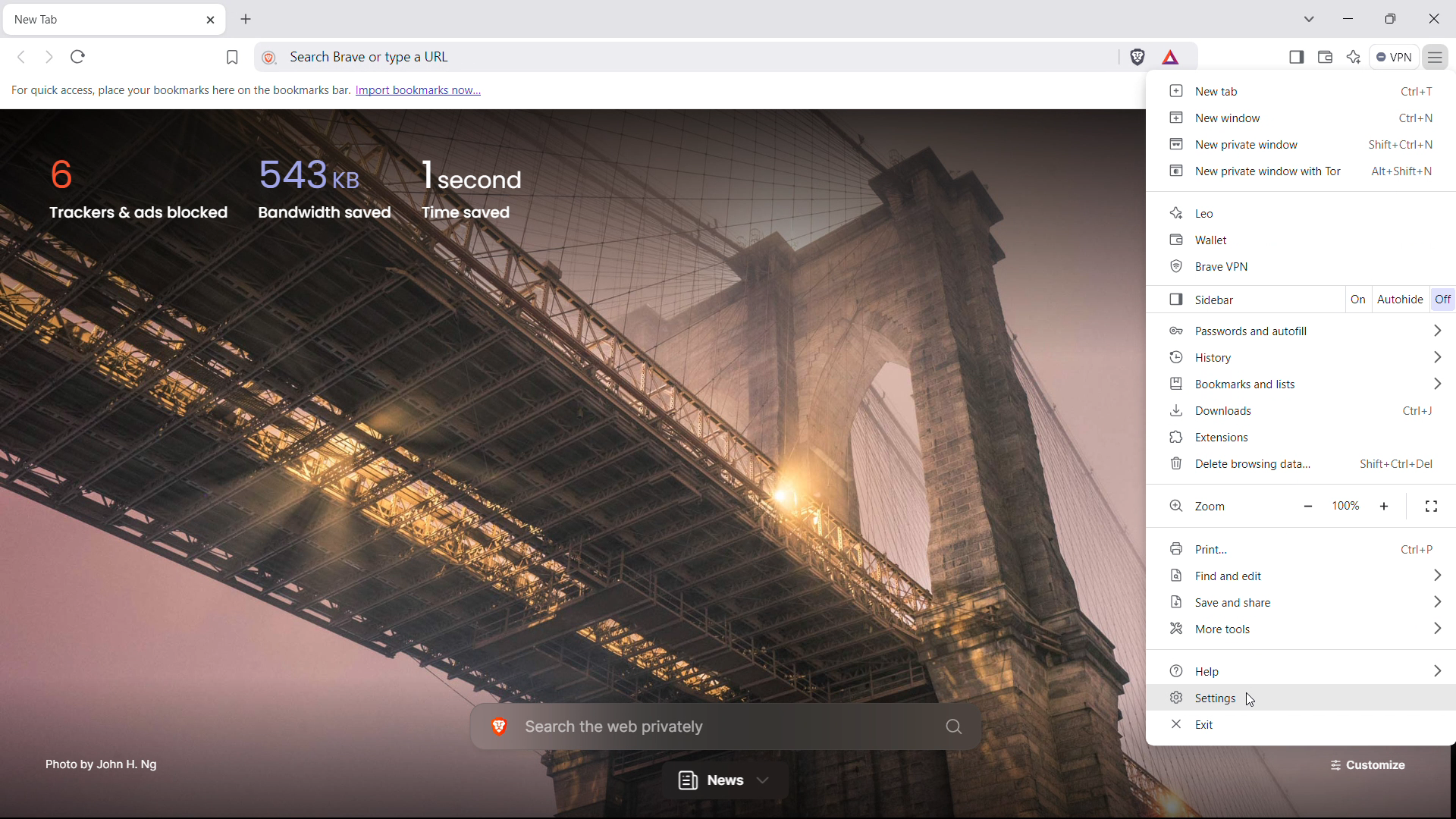  Describe the element at coordinates (476, 171) in the screenshot. I see `1 second` at that location.